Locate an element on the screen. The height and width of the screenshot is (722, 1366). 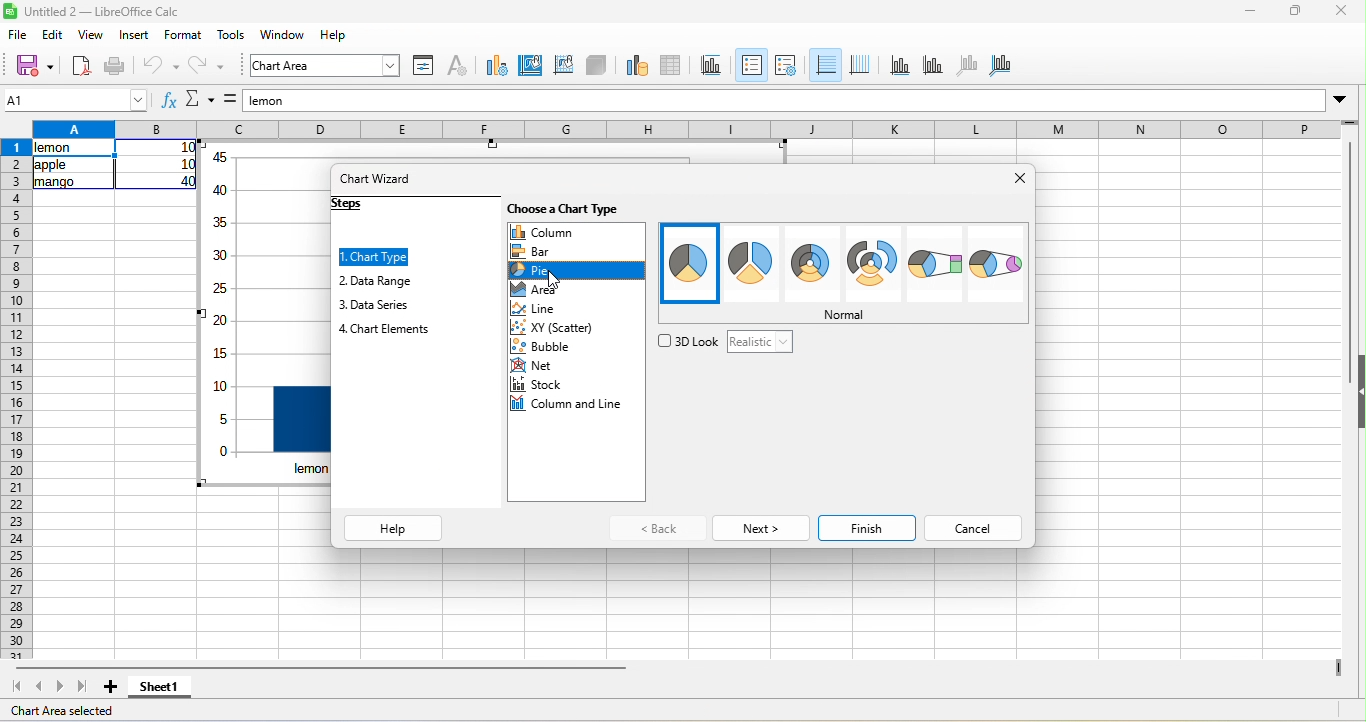
chart area is located at coordinates (325, 66).